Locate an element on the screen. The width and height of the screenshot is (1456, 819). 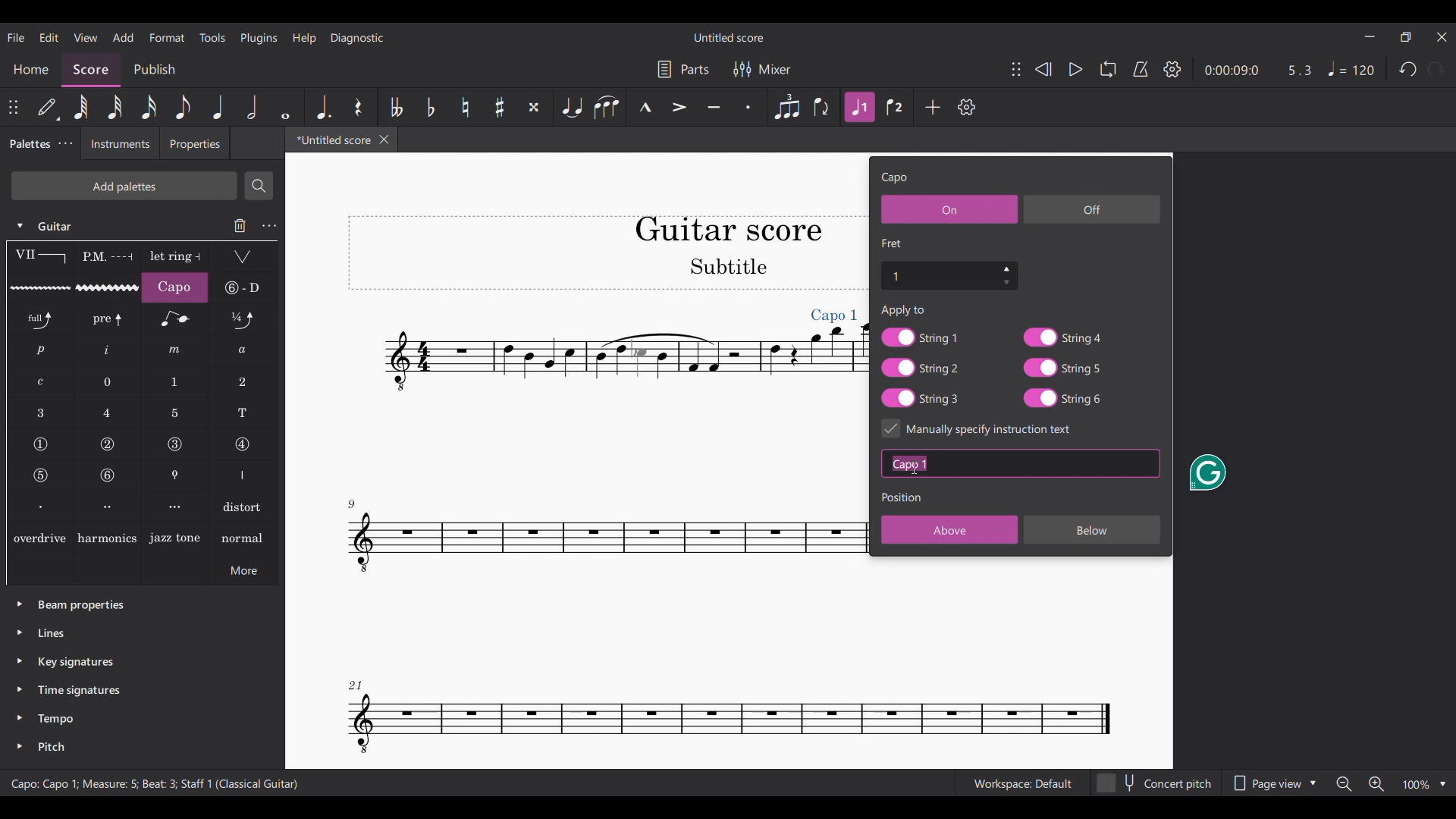
Slur is located at coordinates (606, 107).